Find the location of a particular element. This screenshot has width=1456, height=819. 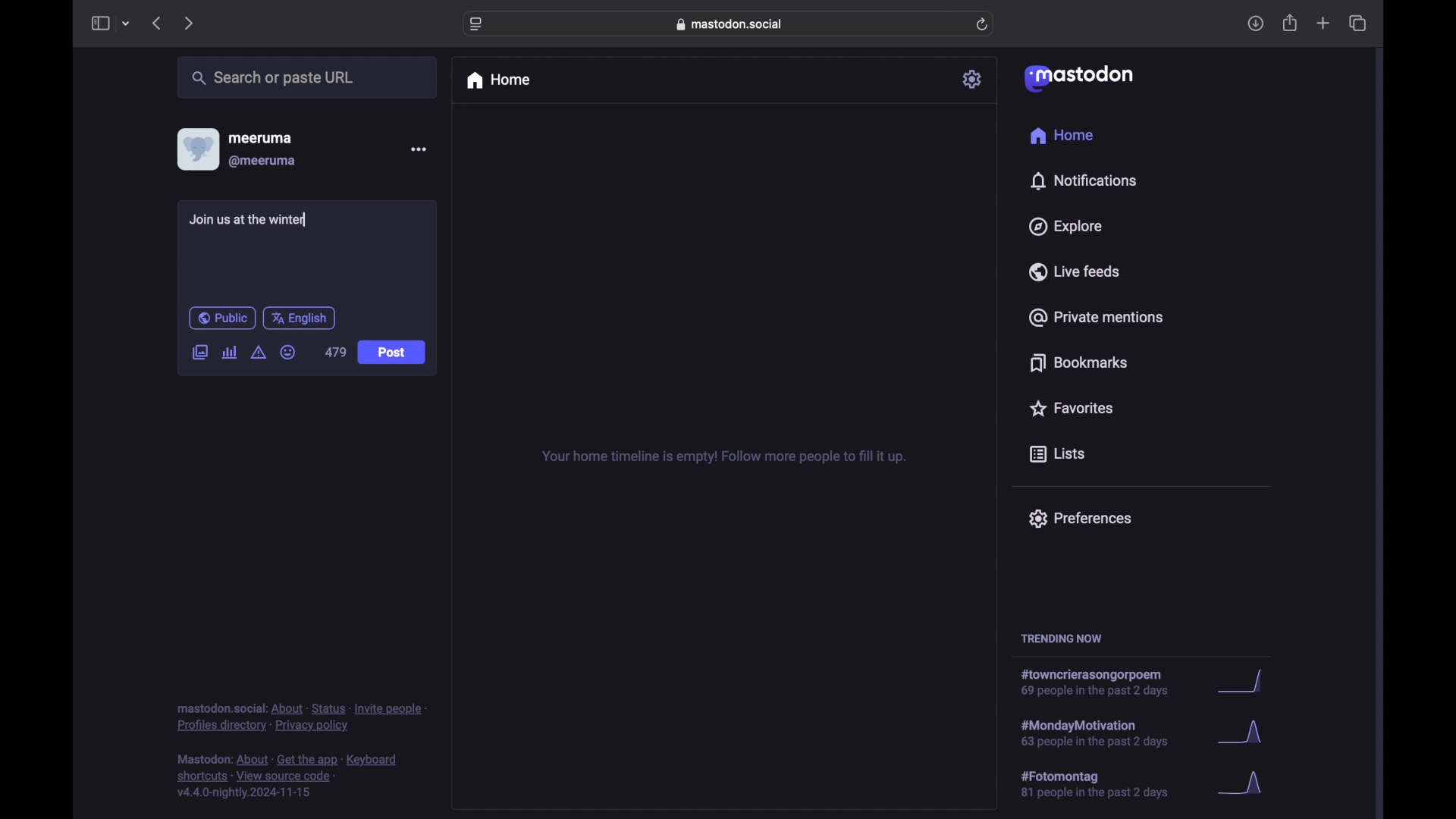

trending now is located at coordinates (1061, 639).